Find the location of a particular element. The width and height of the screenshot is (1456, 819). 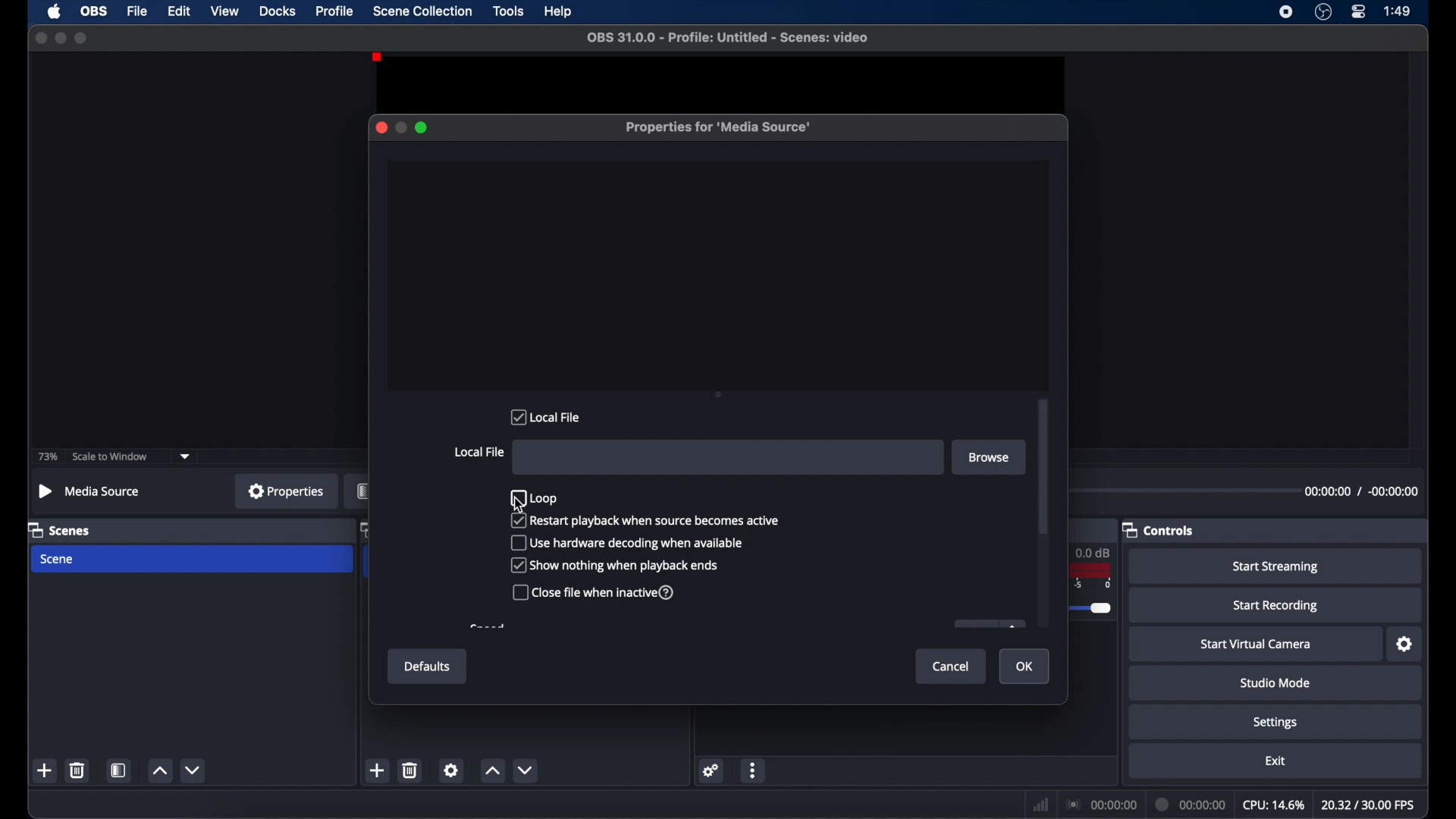

obs is located at coordinates (93, 11).